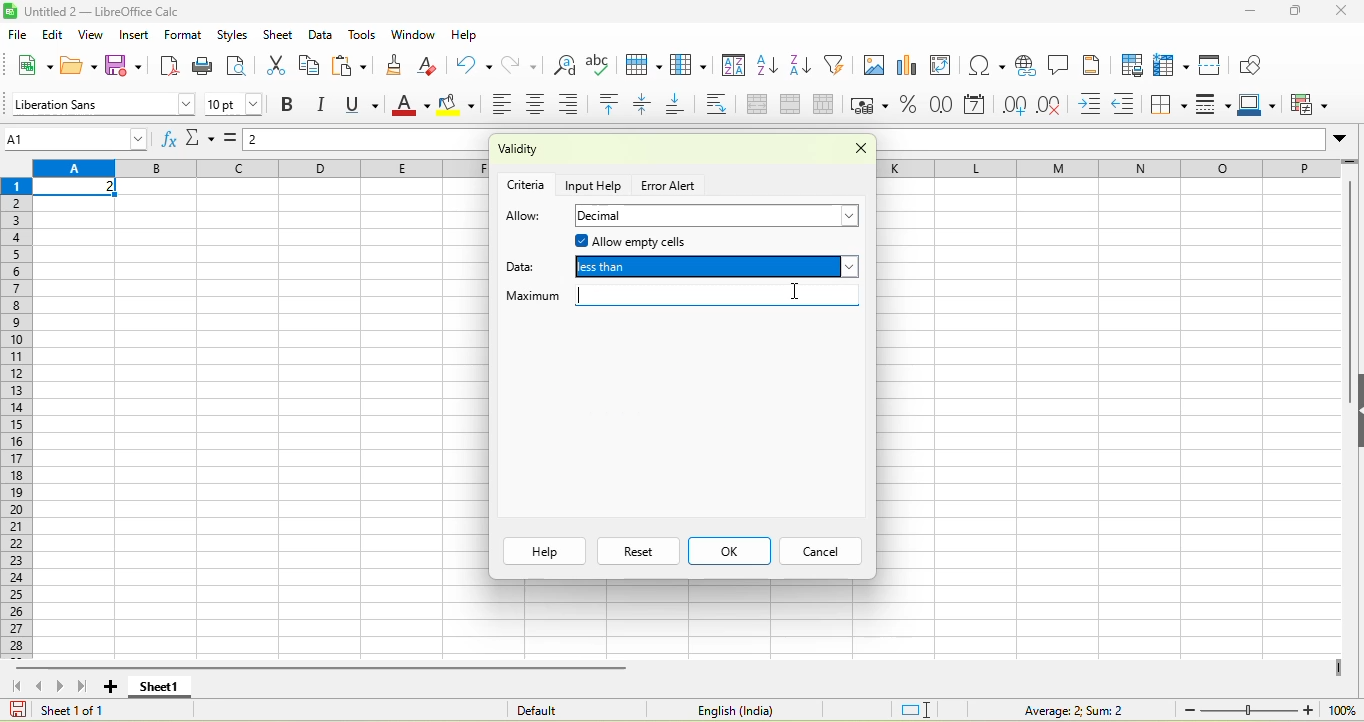 The image size is (1364, 722). I want to click on clone formatting, so click(400, 64).